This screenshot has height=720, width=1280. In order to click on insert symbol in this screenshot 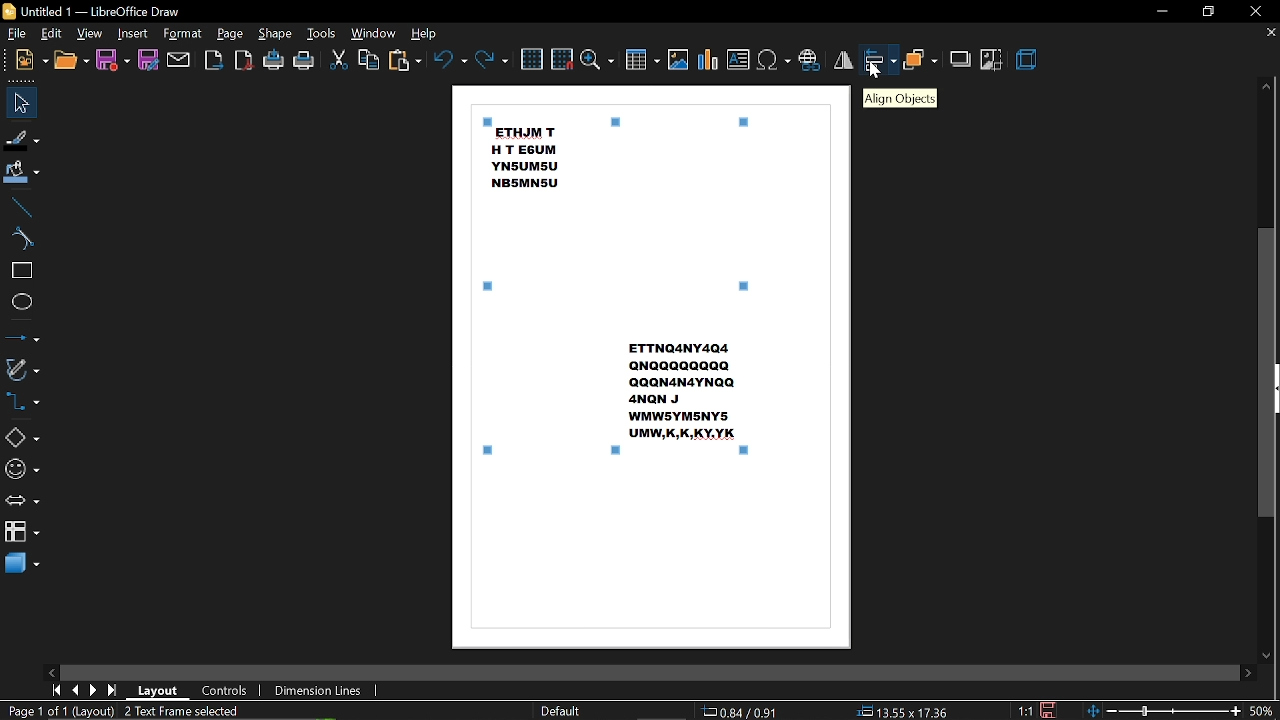, I will do `click(773, 60)`.